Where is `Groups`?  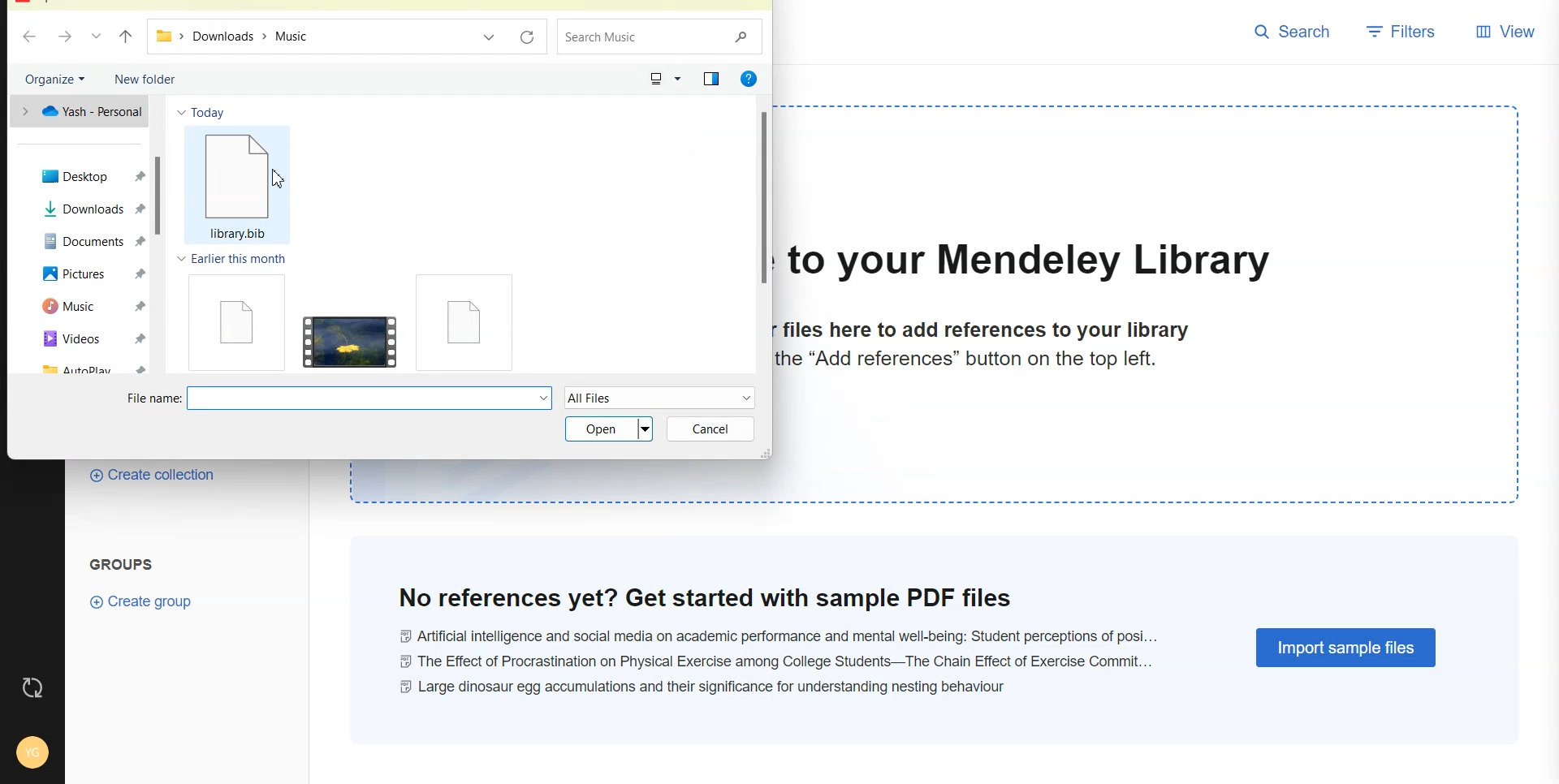
Groups is located at coordinates (123, 563).